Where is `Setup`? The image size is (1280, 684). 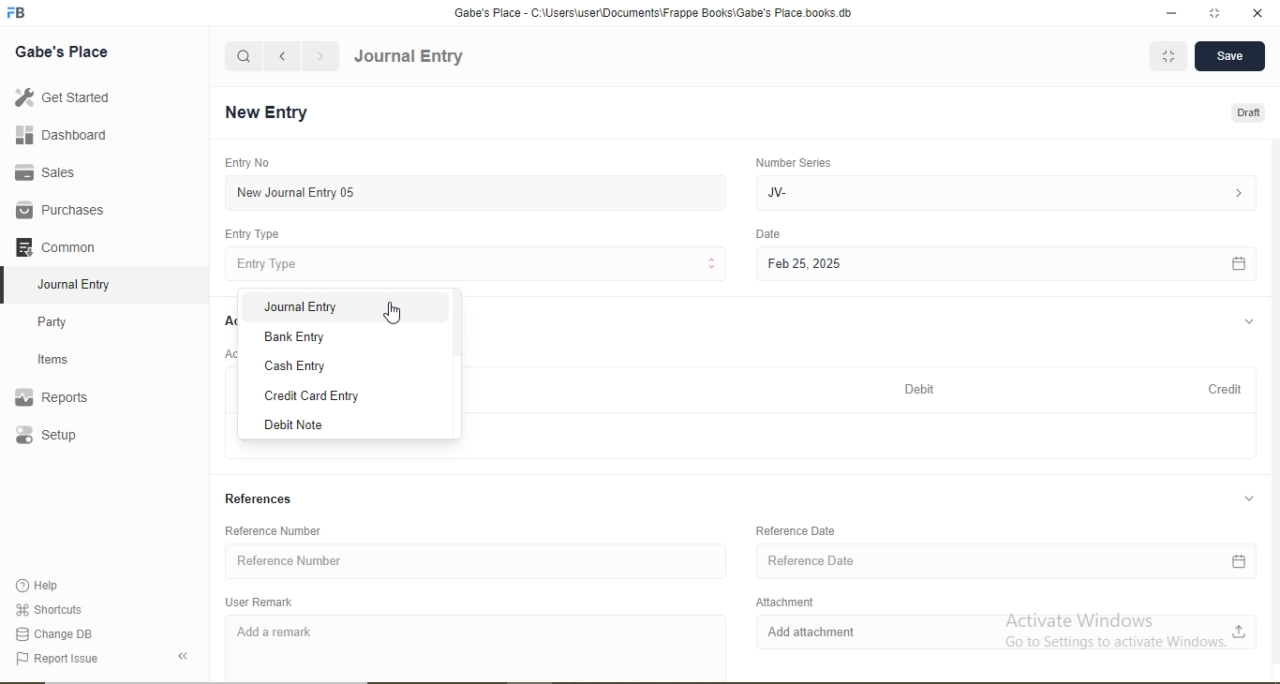
Setup is located at coordinates (75, 437).